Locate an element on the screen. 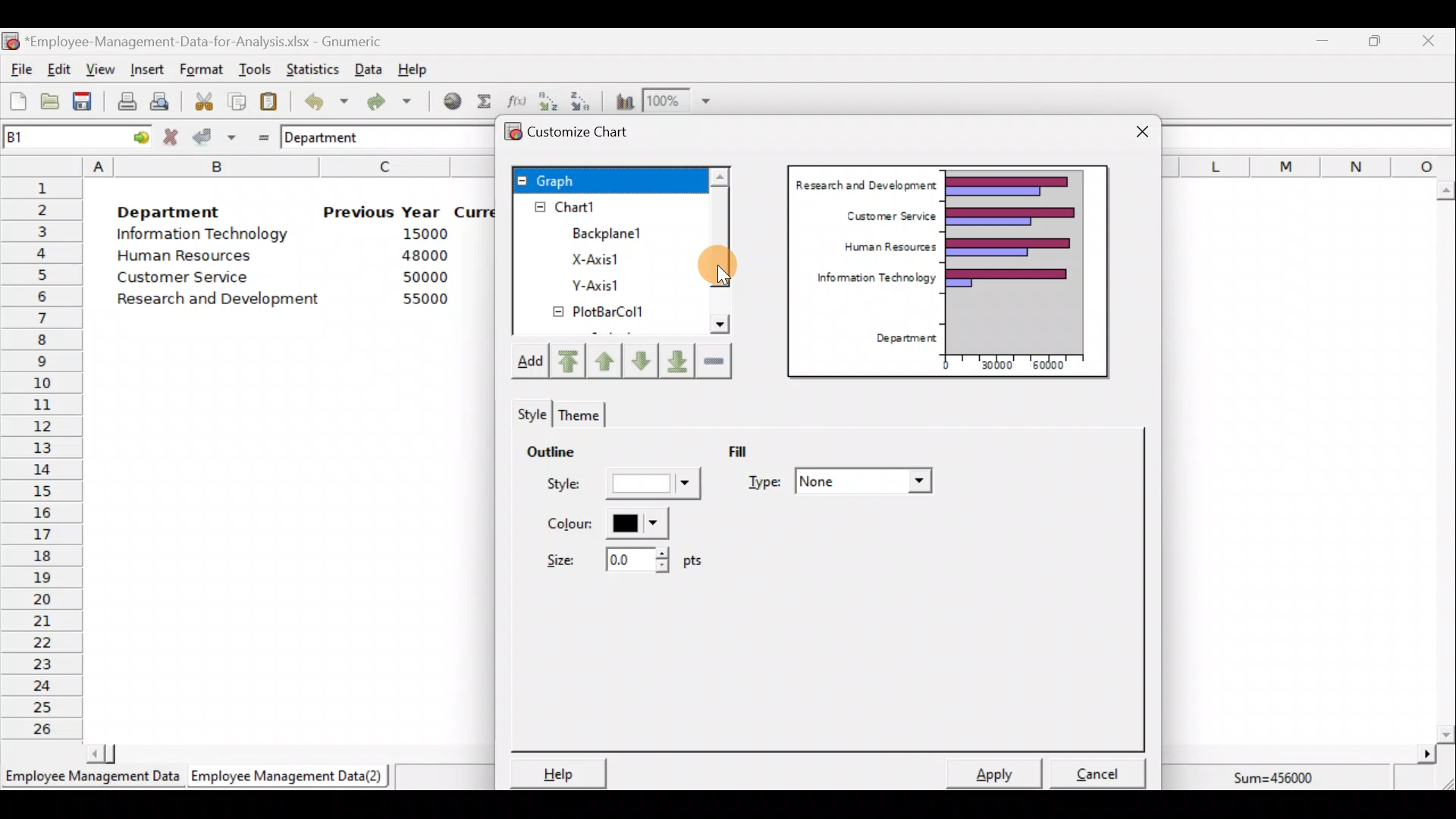  Insert is located at coordinates (146, 70).